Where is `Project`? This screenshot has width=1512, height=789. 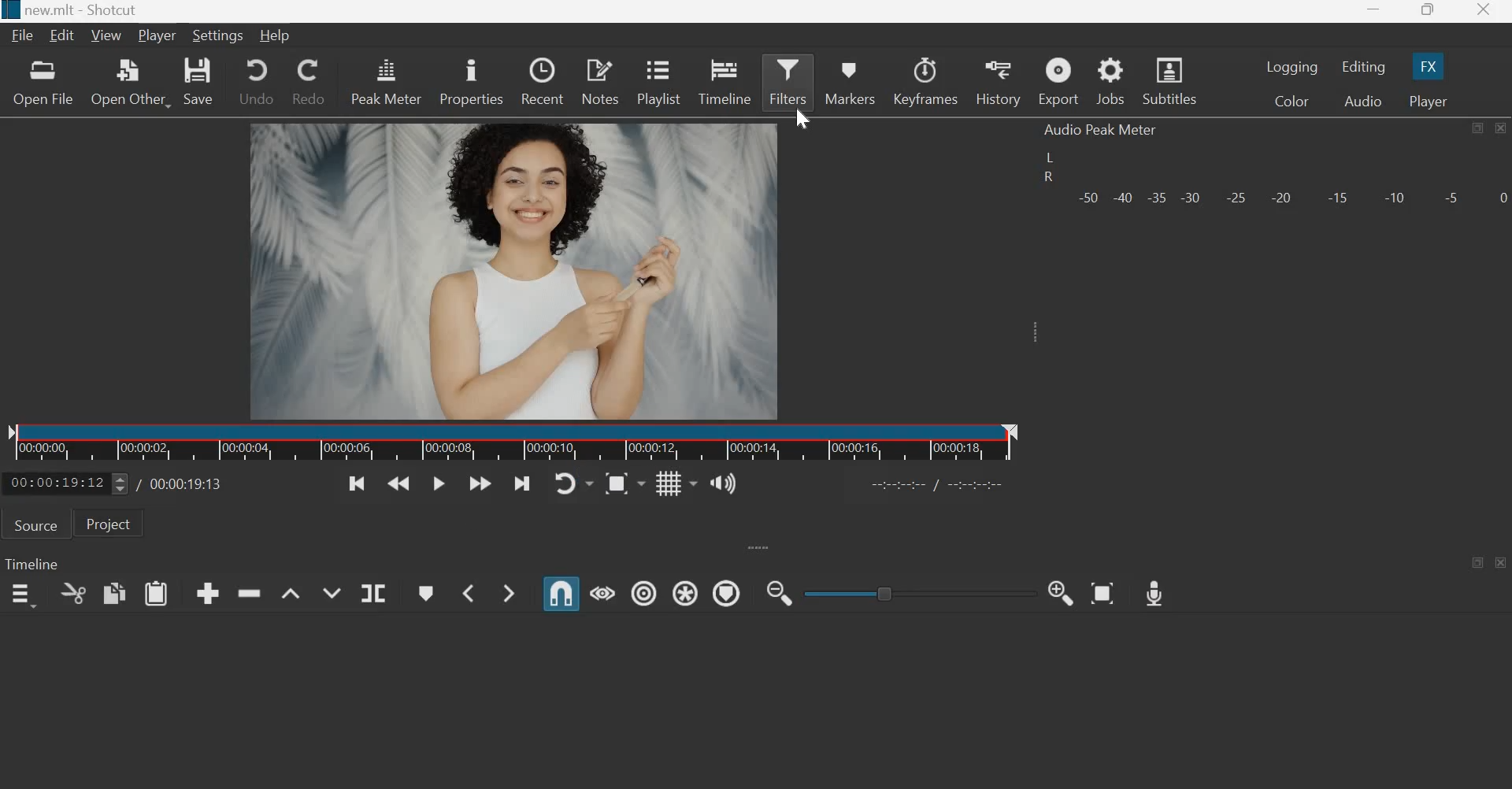
Project is located at coordinates (110, 523).